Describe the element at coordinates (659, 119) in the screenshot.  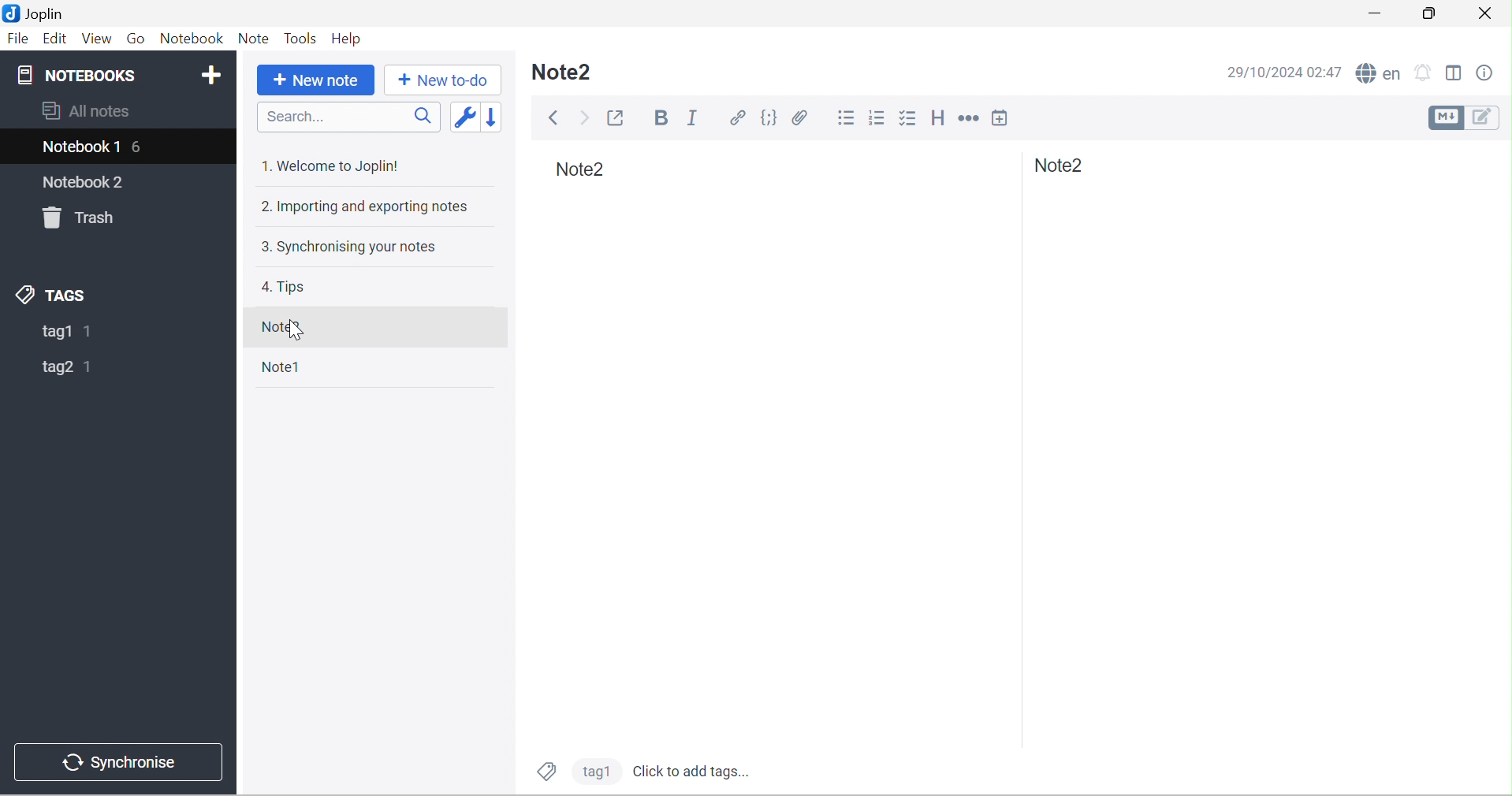
I see `Bold` at that location.